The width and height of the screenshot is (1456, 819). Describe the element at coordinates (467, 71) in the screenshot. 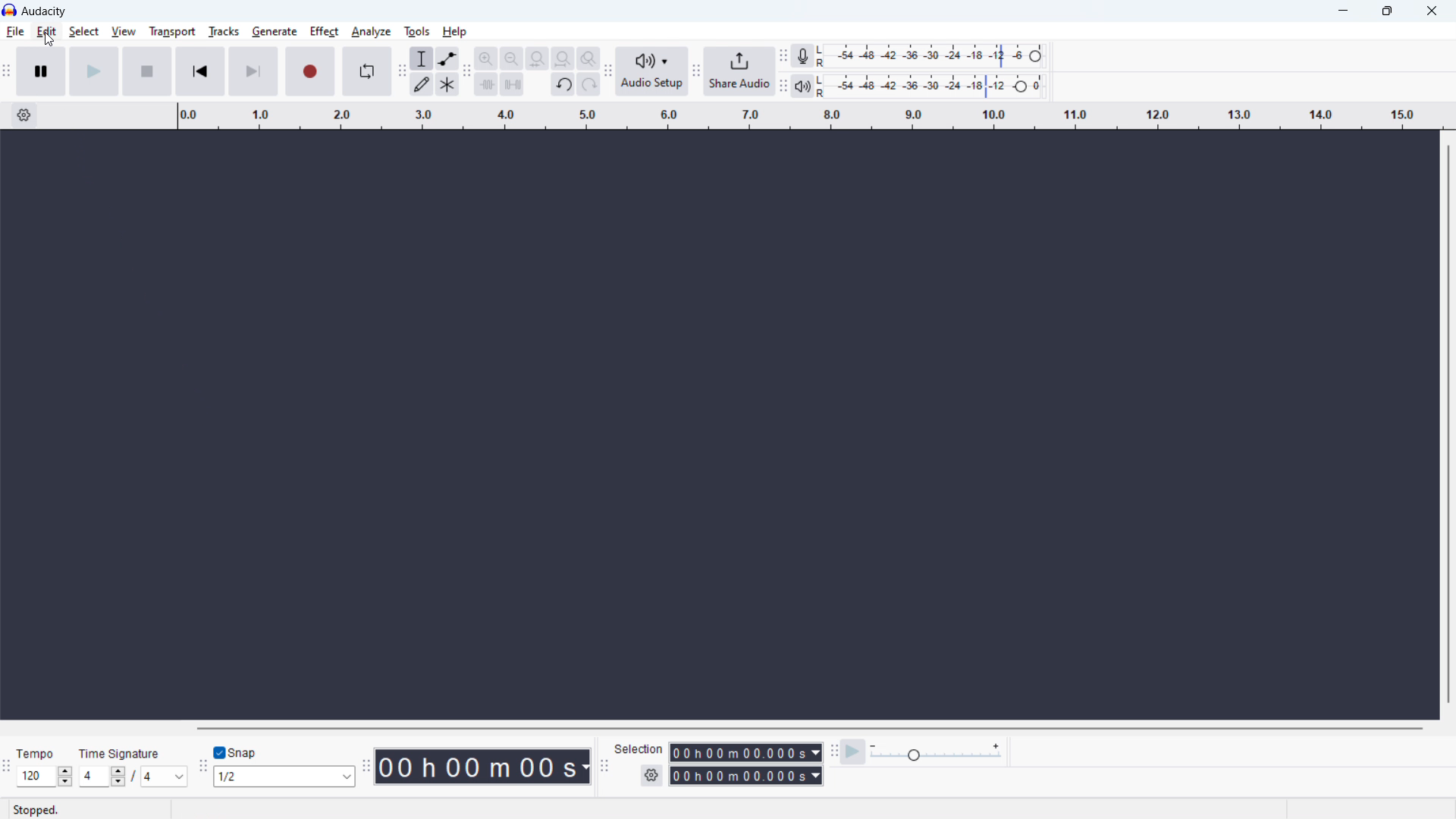

I see `Enable movment of edit toolbar` at that location.